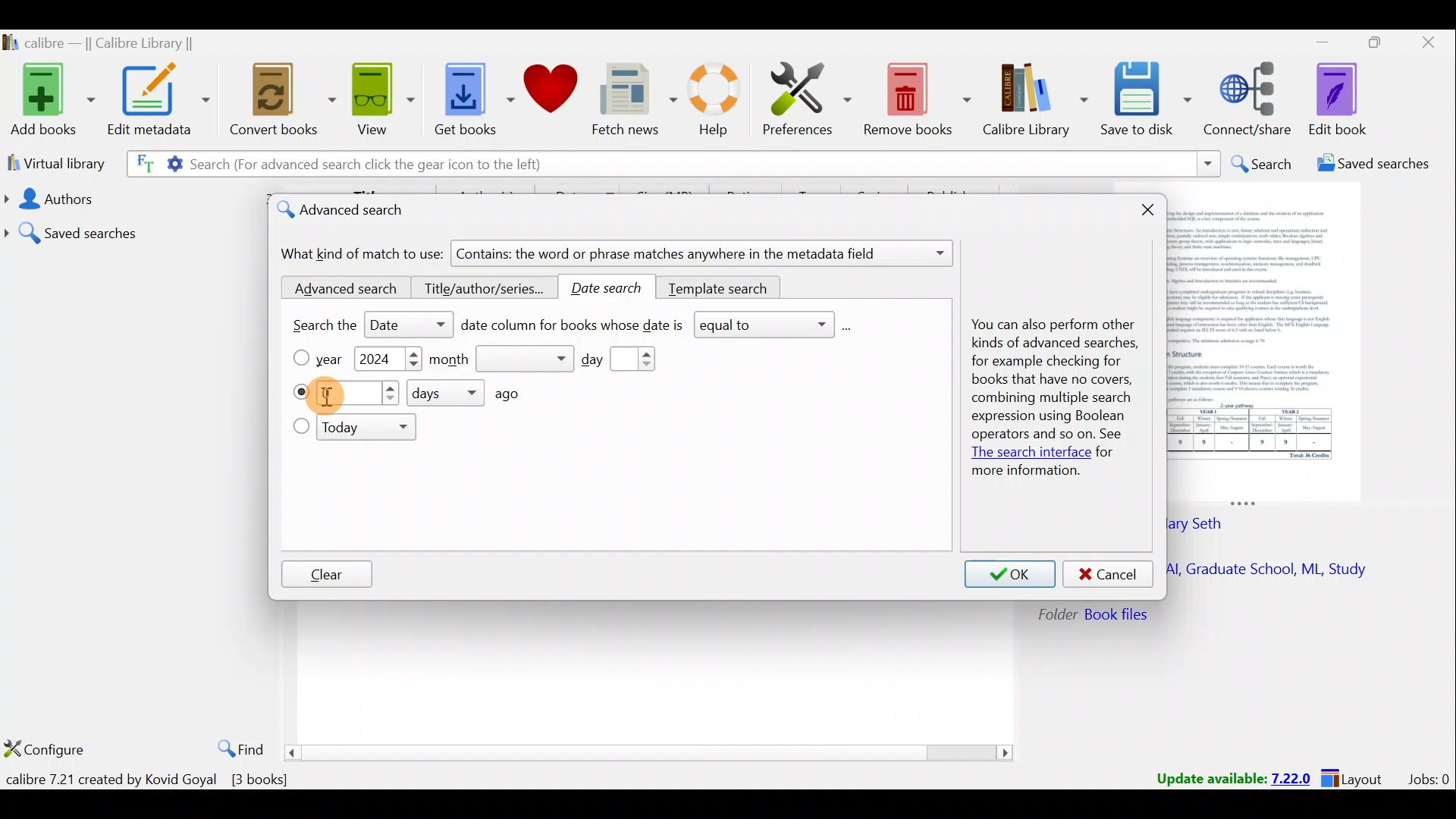 The image size is (1456, 819). I want to click on Increase, so click(413, 354).